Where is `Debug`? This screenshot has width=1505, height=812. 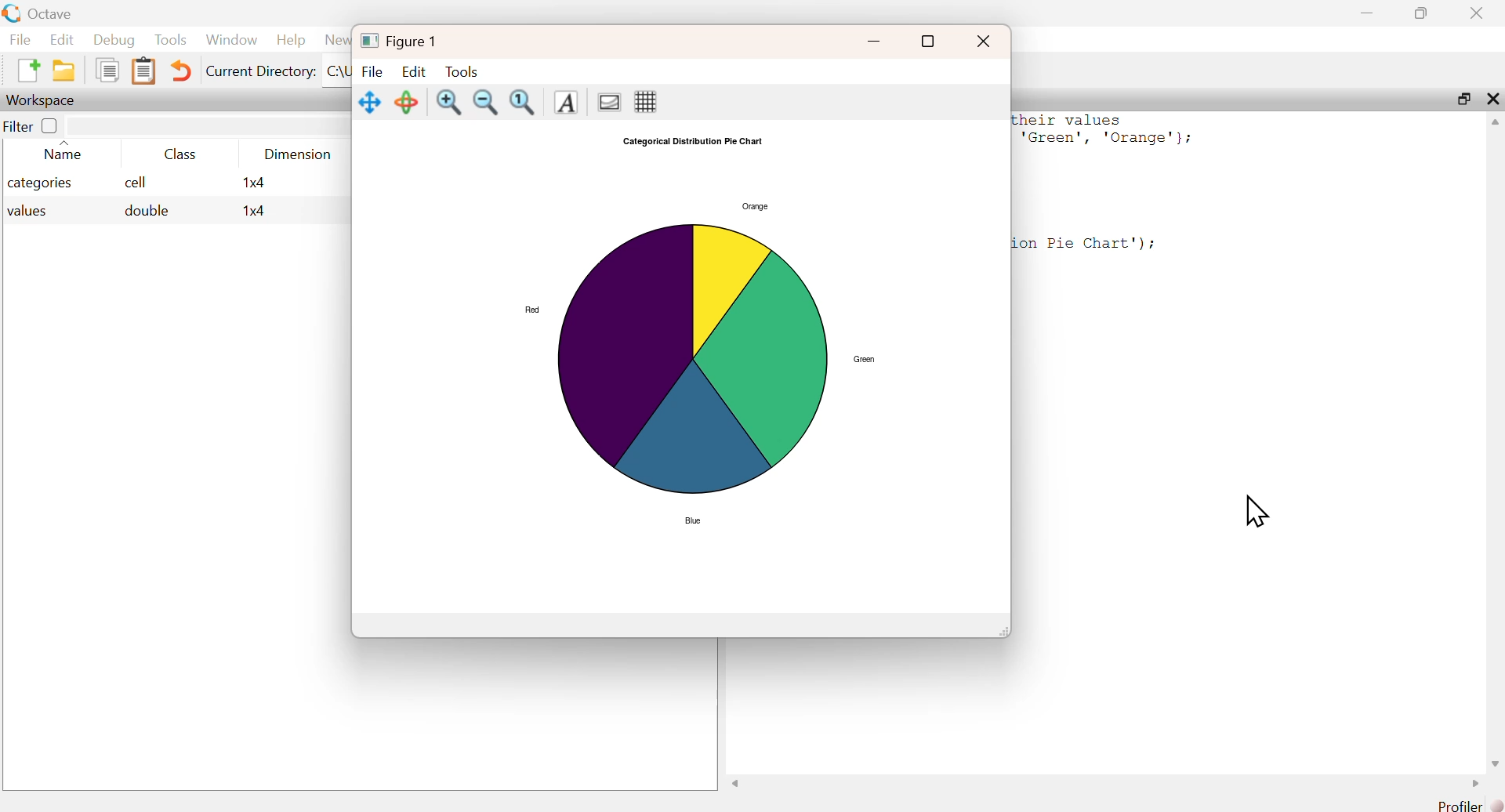 Debug is located at coordinates (114, 40).